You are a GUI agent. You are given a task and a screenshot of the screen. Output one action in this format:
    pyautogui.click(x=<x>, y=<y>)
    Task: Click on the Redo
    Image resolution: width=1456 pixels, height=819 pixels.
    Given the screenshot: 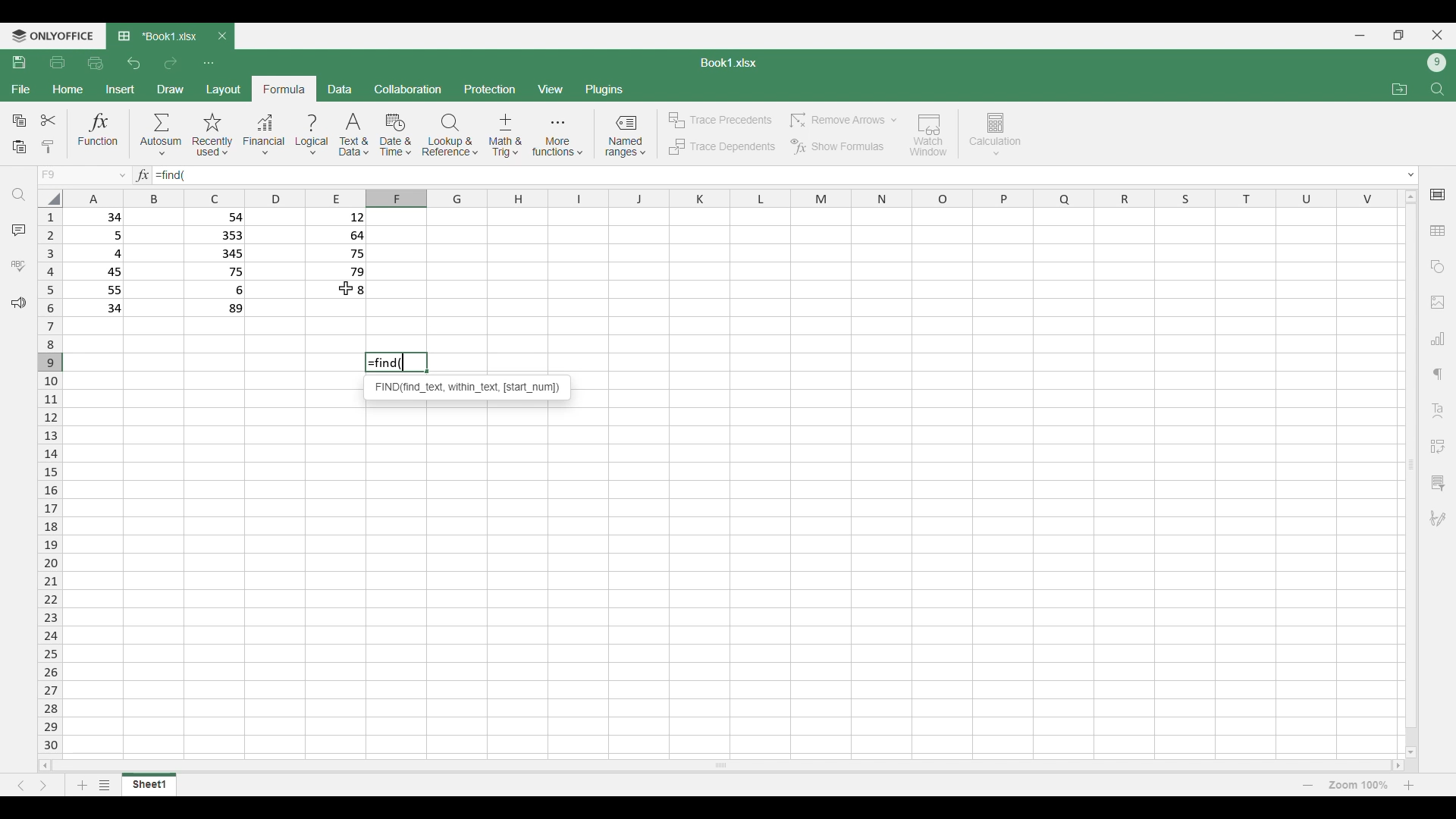 What is the action you would take?
    pyautogui.click(x=170, y=64)
    